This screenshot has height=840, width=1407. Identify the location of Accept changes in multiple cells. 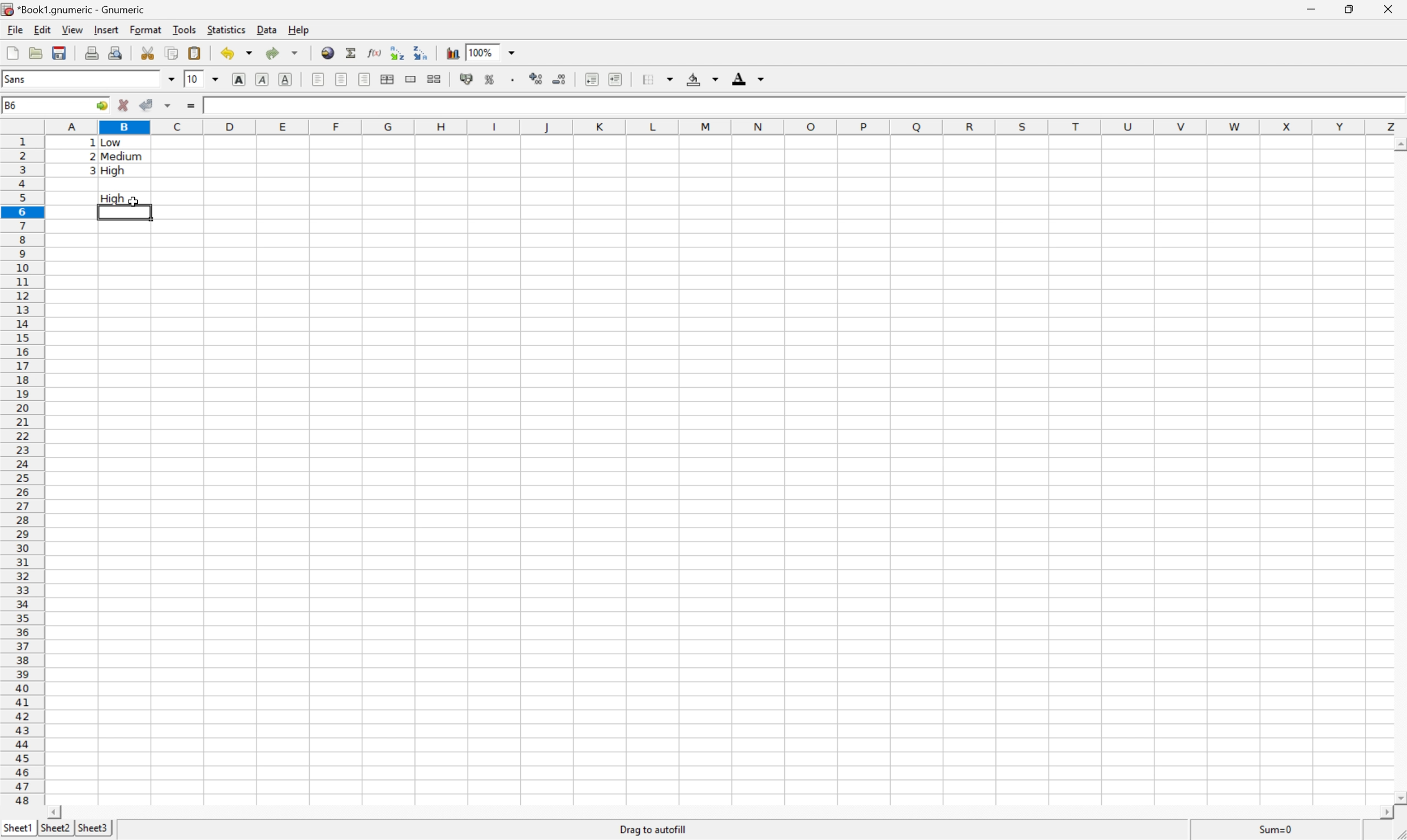
(167, 106).